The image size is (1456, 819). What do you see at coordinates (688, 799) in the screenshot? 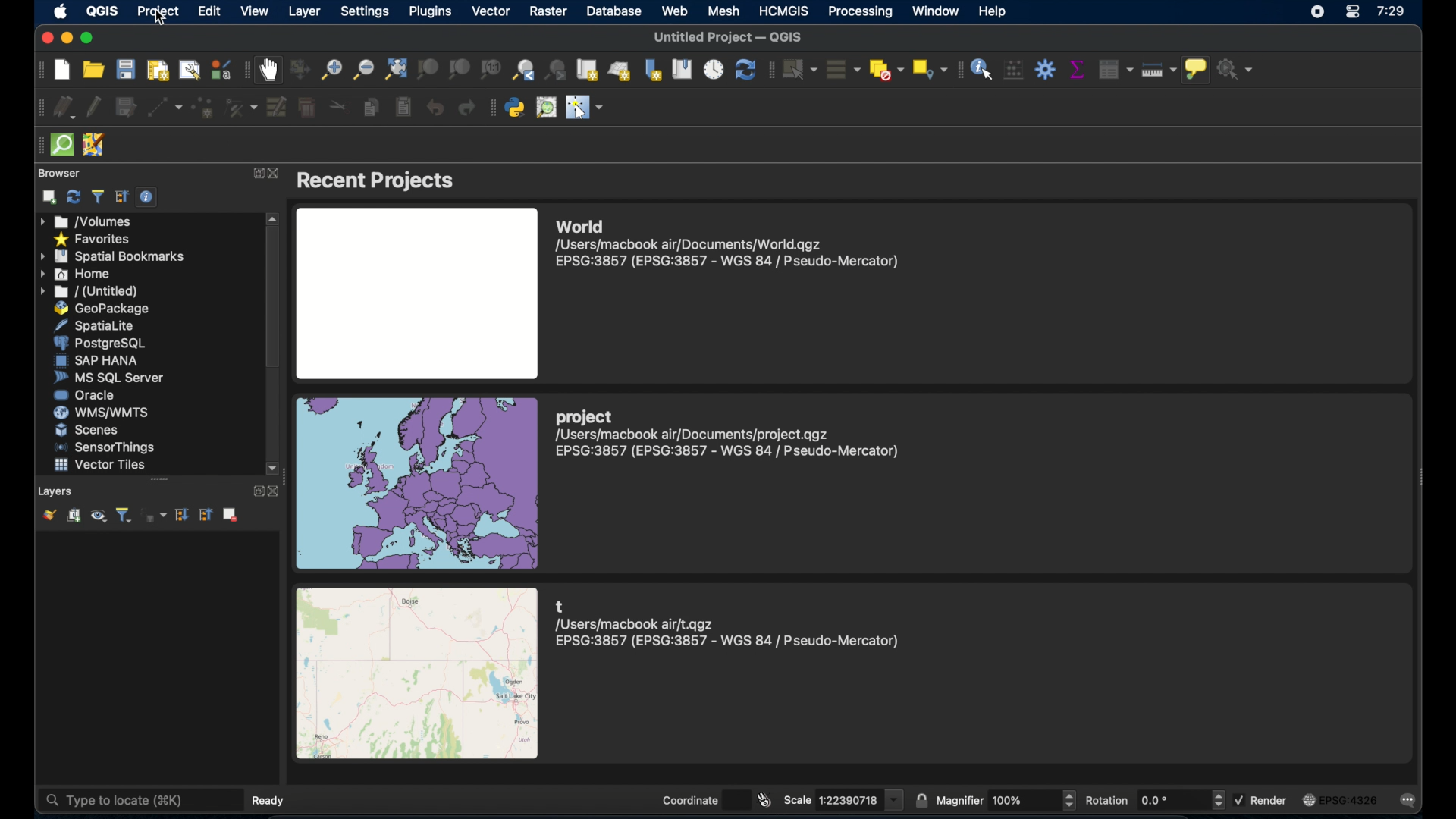
I see `coordinate` at bounding box center [688, 799].